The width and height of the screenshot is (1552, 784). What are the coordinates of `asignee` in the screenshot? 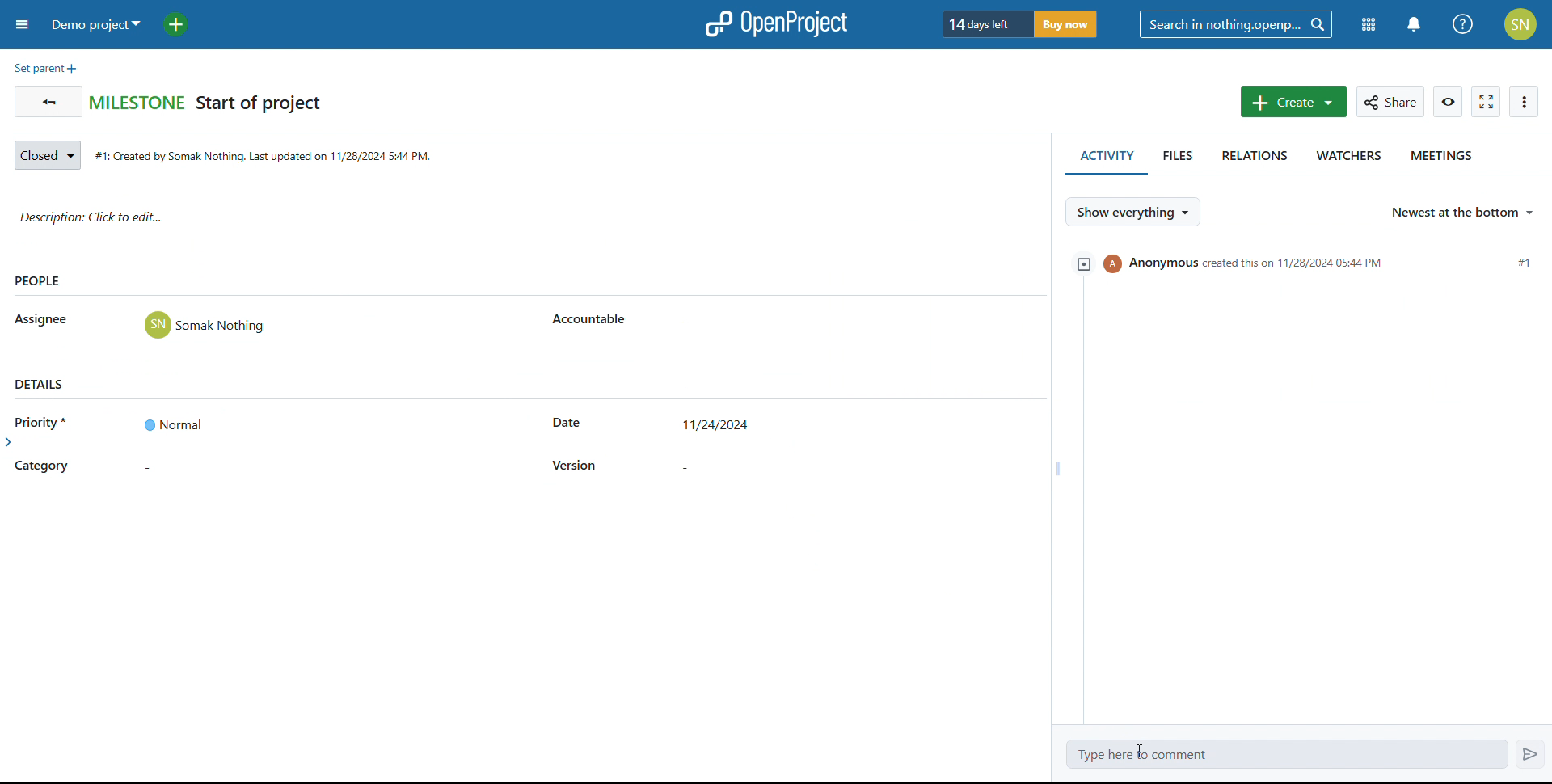 It's located at (43, 320).